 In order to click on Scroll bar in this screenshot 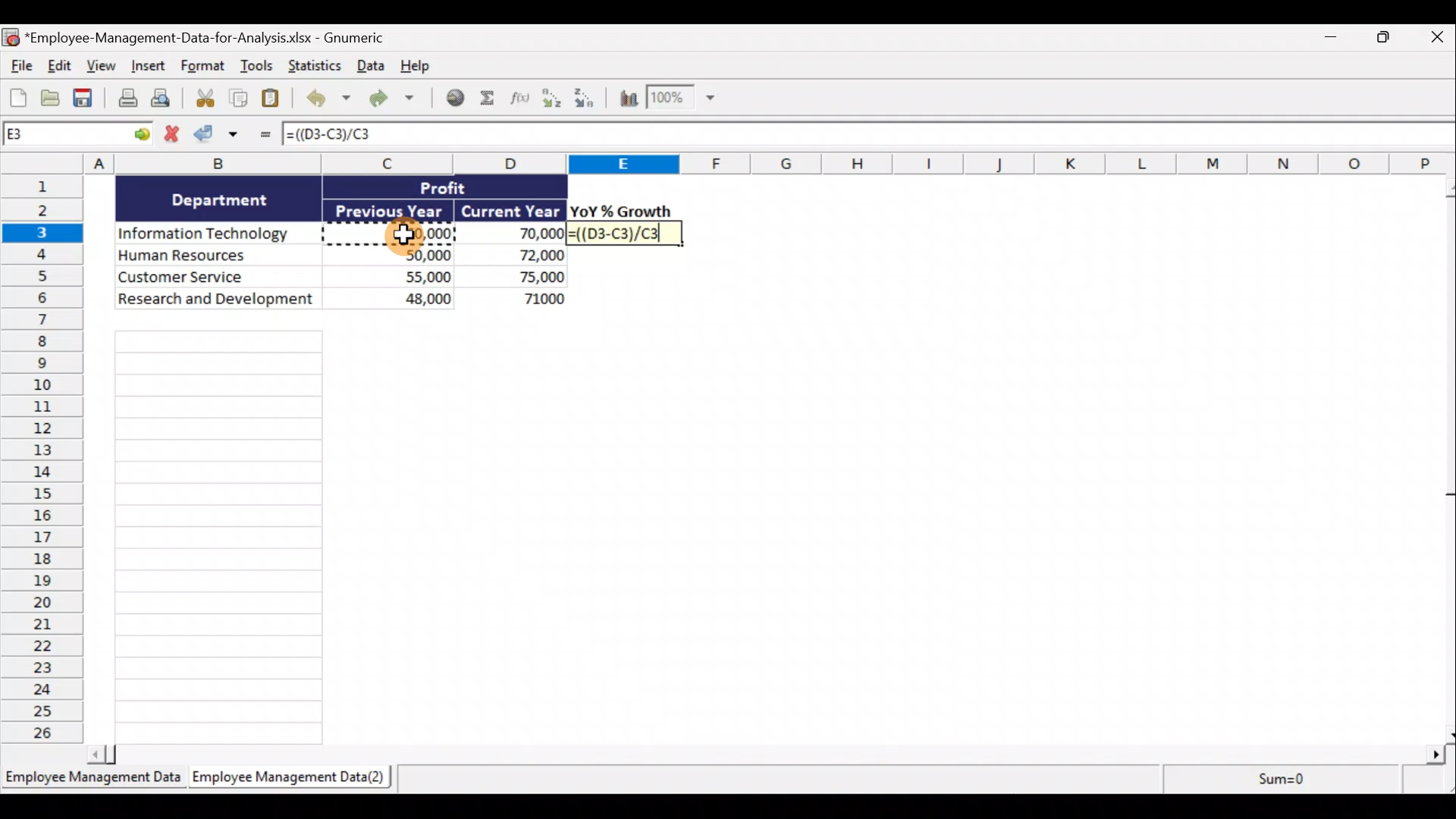, I will do `click(1447, 460)`.